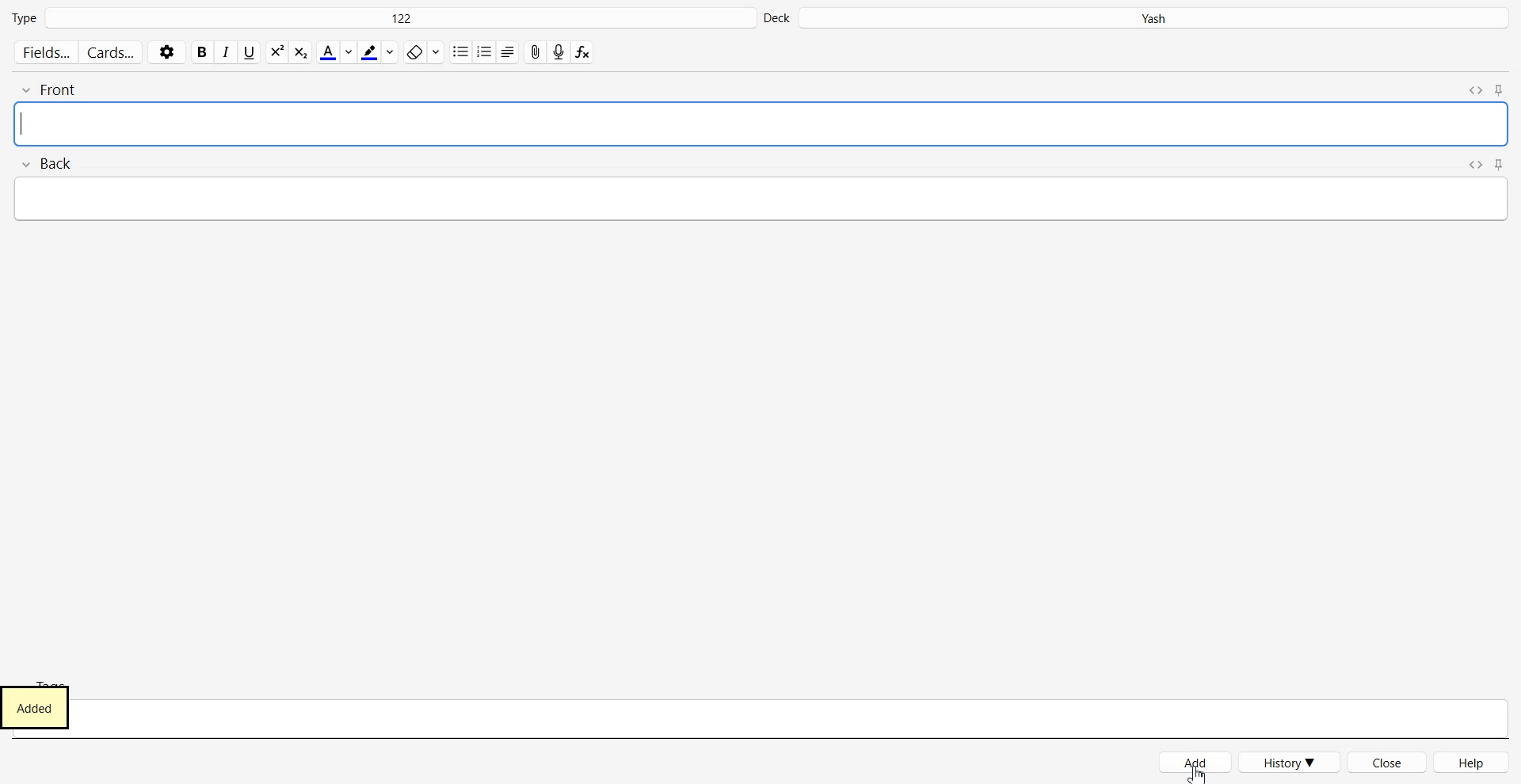 This screenshot has height=784, width=1521. Describe the element at coordinates (558, 52) in the screenshot. I see `Record audio` at that location.